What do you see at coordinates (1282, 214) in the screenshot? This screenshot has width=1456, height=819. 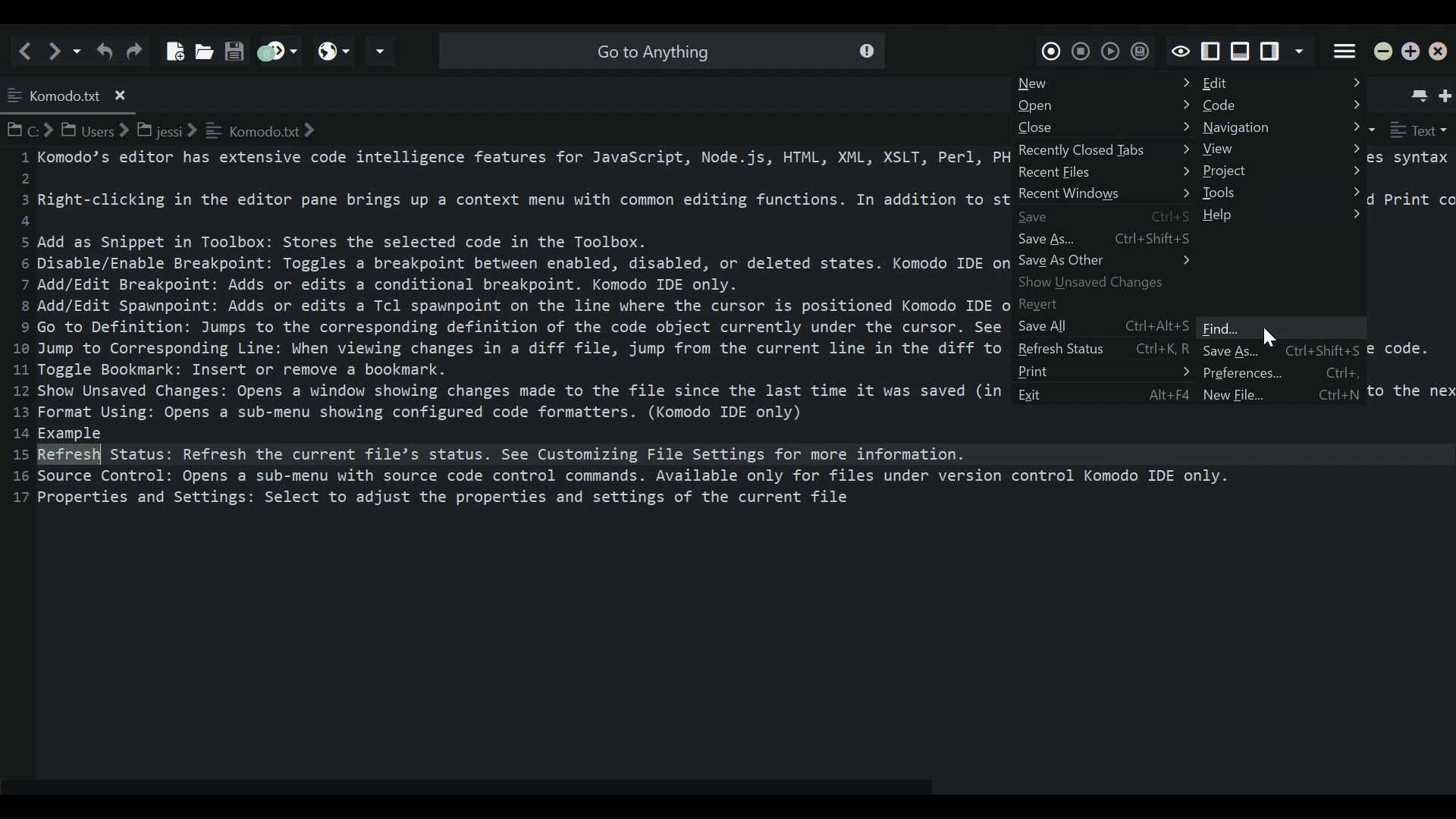 I see `Help` at bounding box center [1282, 214].